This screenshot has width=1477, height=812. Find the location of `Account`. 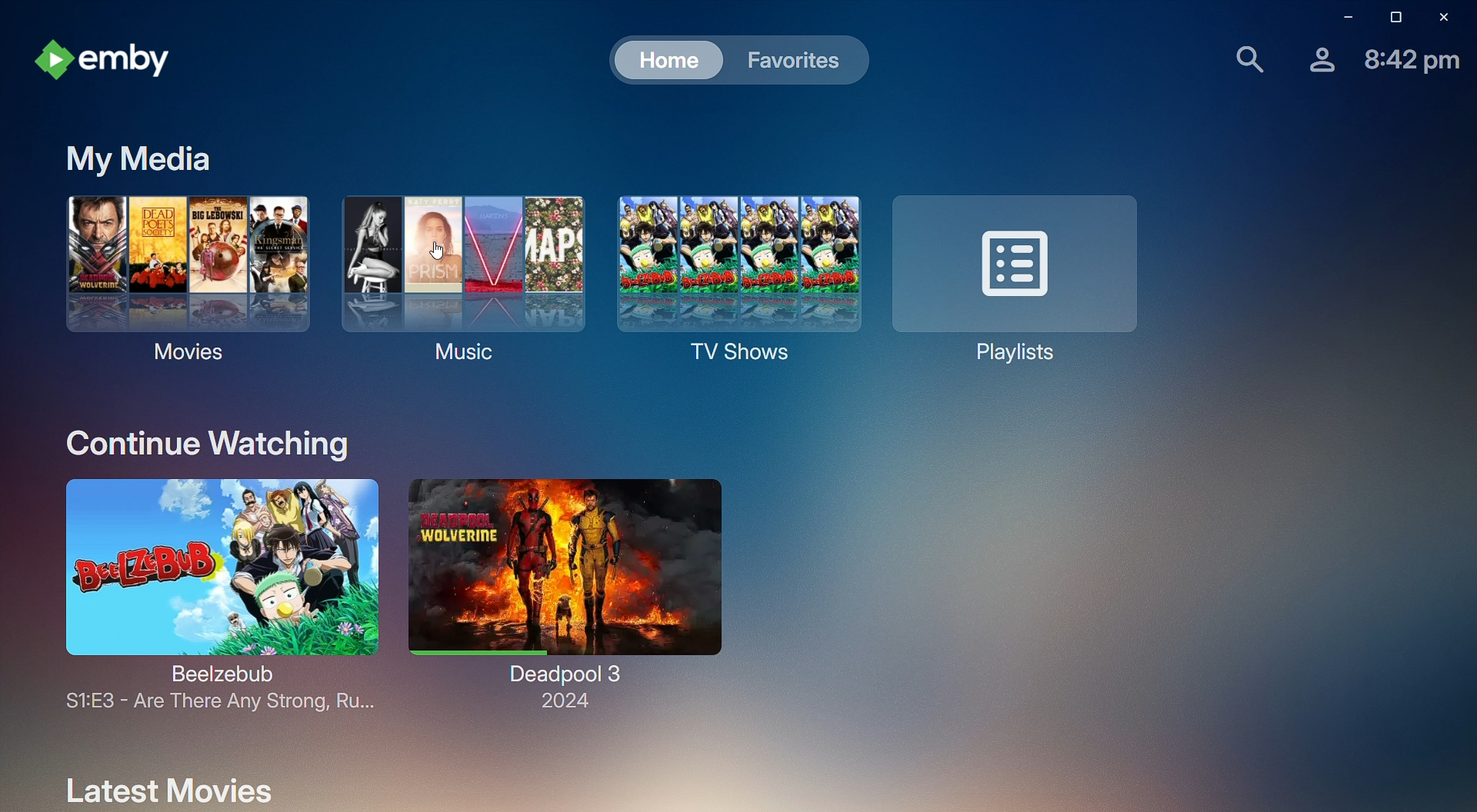

Account is located at coordinates (1318, 63).